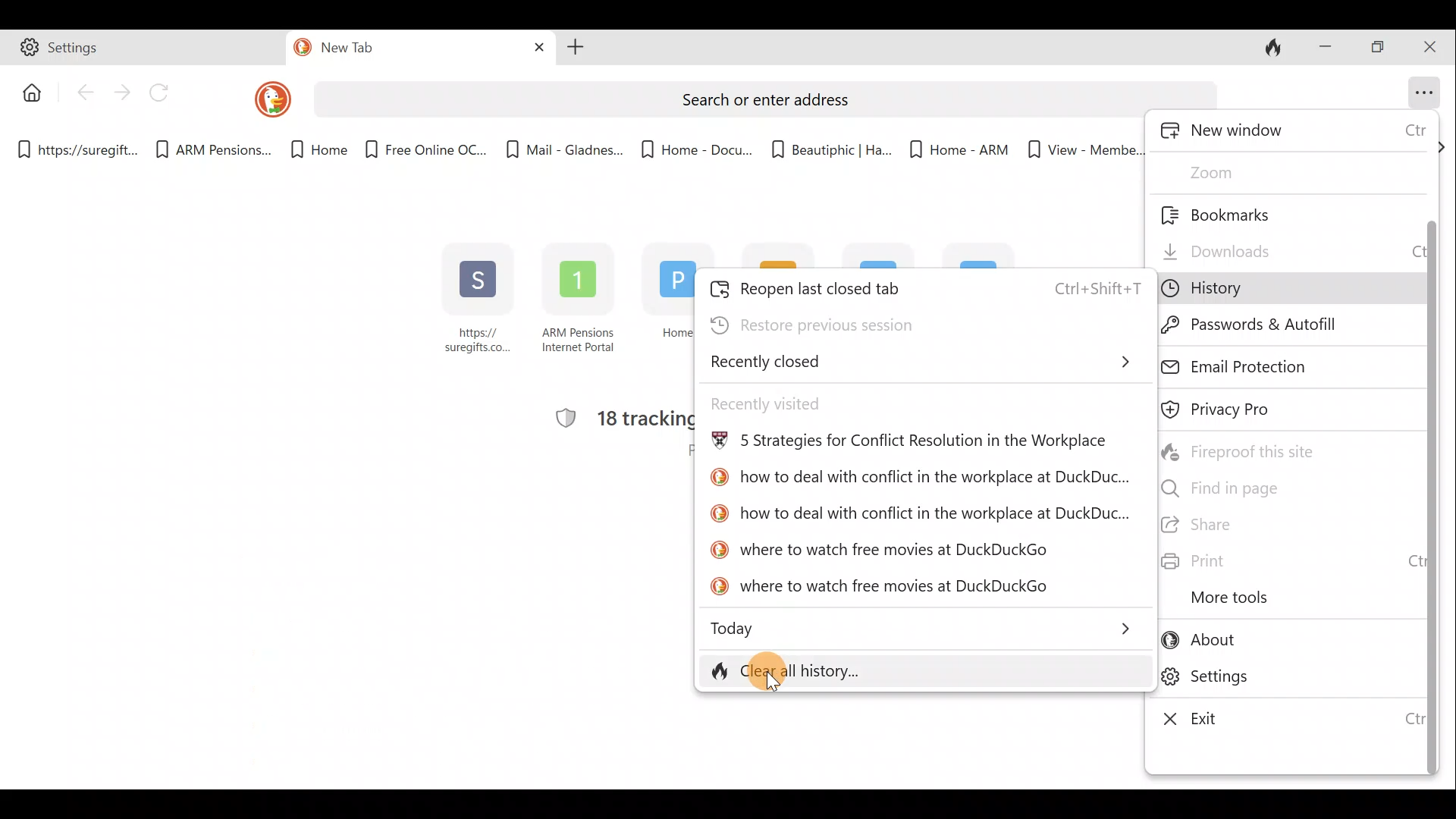  I want to click on 5 Strategies for Conflict Resolution in the Workplace, so click(910, 444).